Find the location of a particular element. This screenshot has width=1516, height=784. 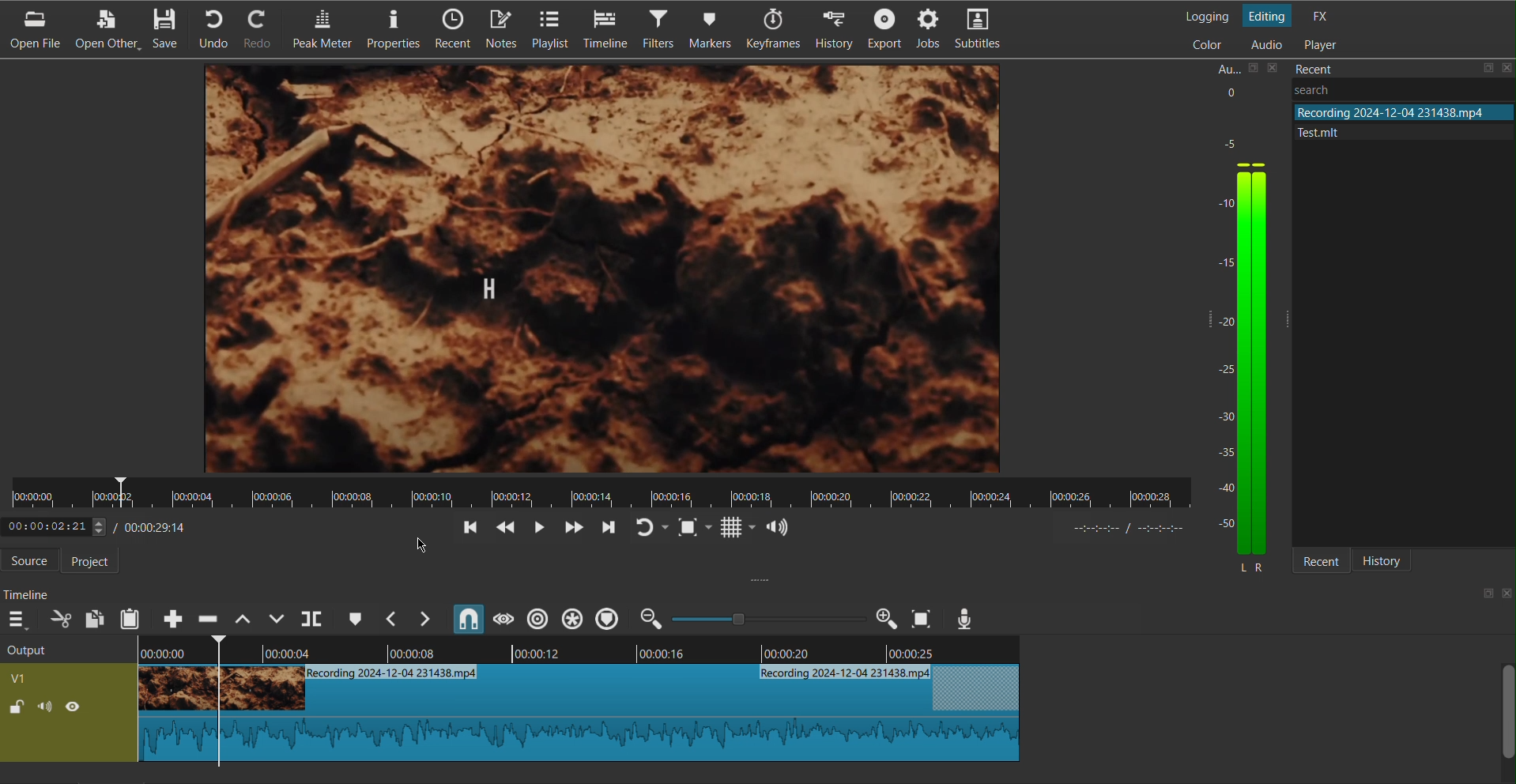

Save is located at coordinates (169, 28).